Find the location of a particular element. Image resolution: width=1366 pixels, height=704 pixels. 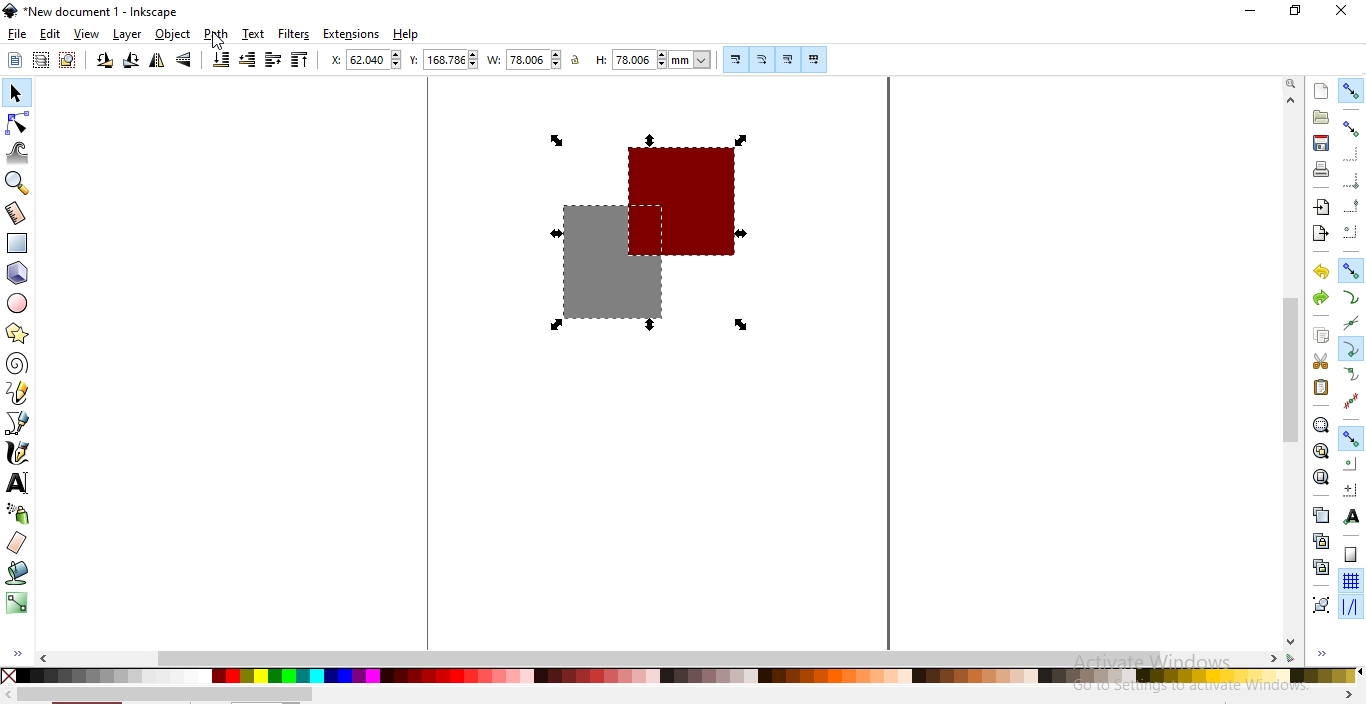

snap guides is located at coordinates (1350, 607).